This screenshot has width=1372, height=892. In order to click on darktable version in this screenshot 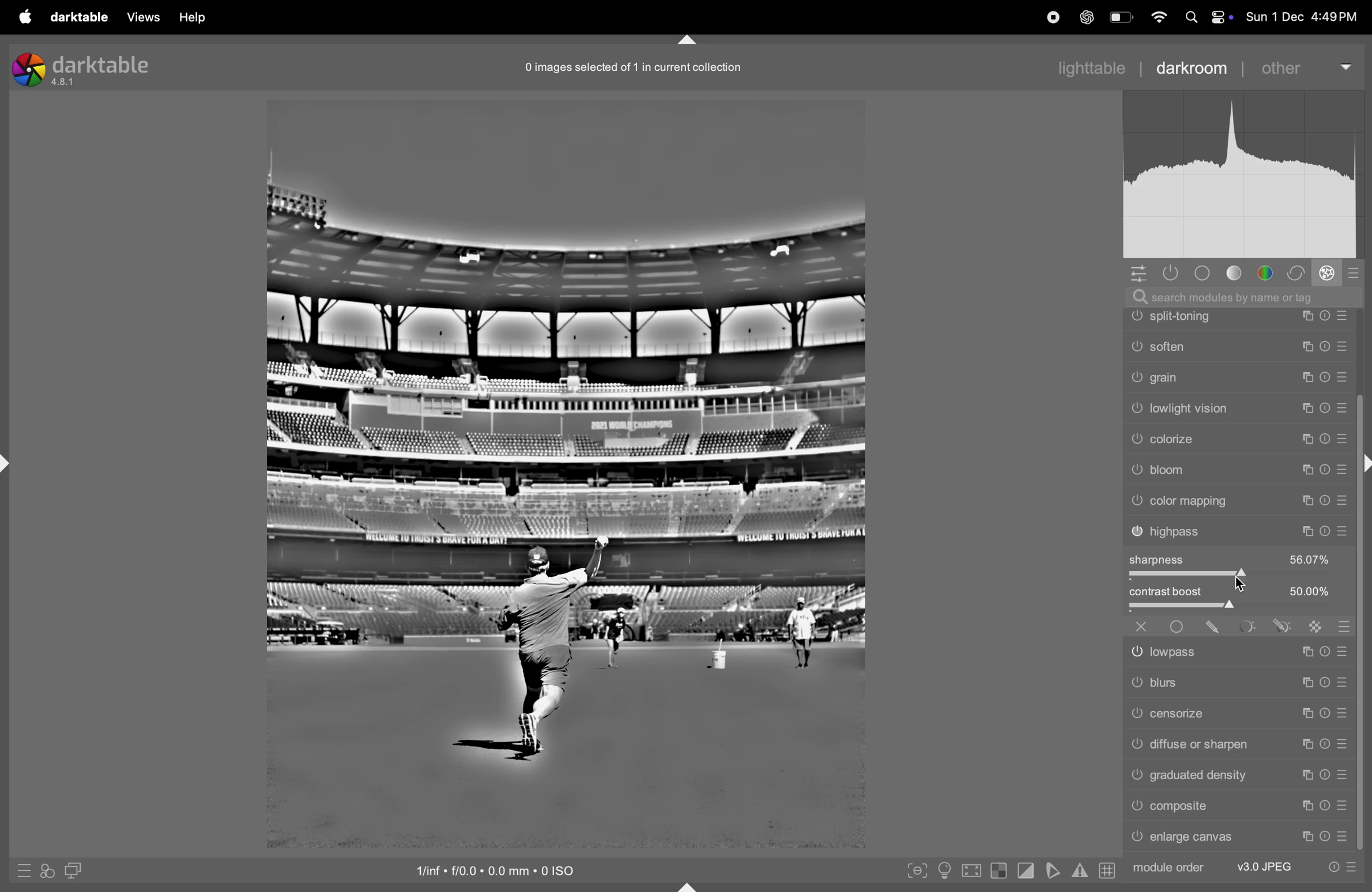, I will do `click(87, 66)`.